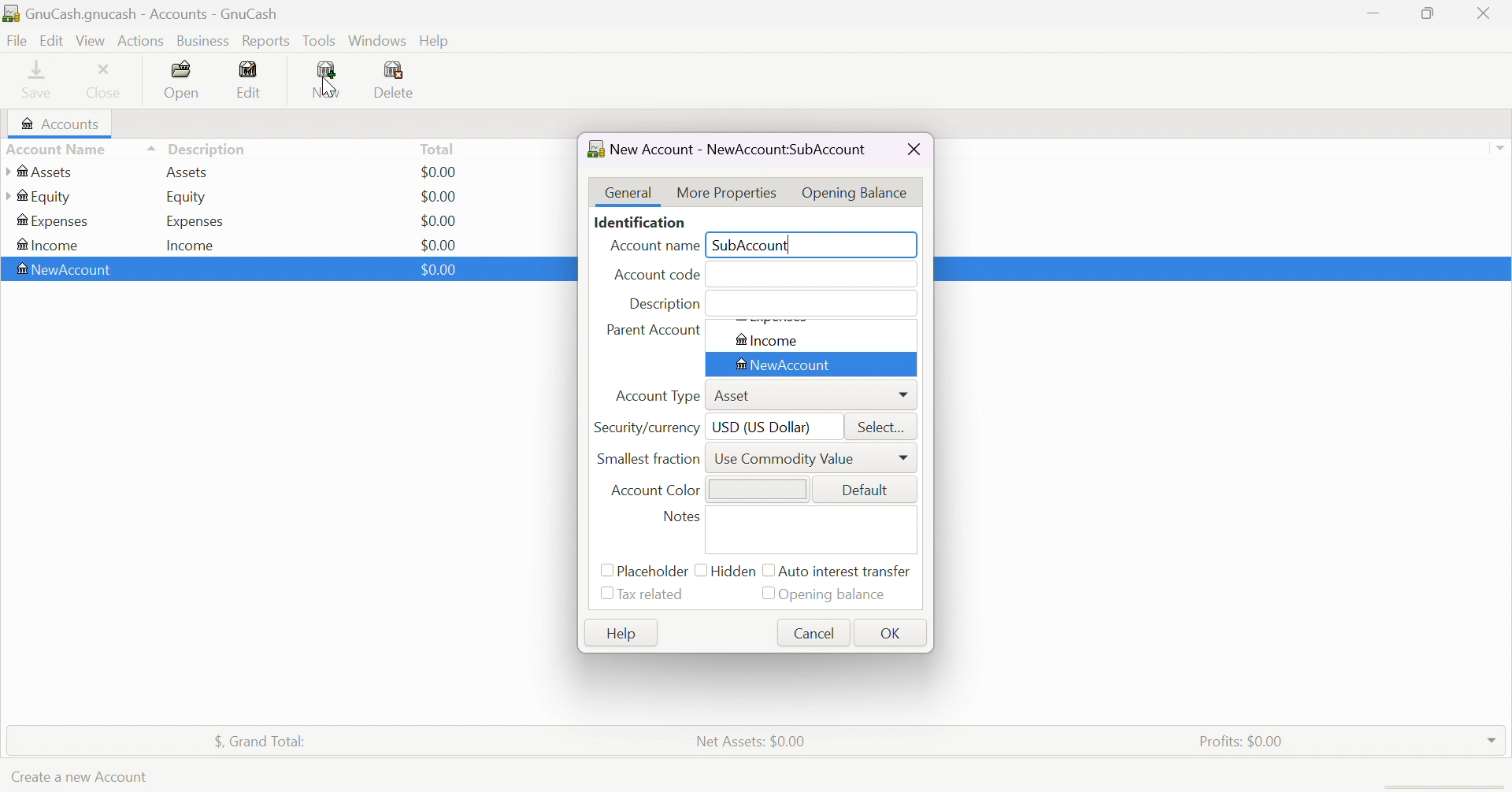 Image resolution: width=1512 pixels, height=792 pixels. What do you see at coordinates (270, 41) in the screenshot?
I see `Reports` at bounding box center [270, 41].